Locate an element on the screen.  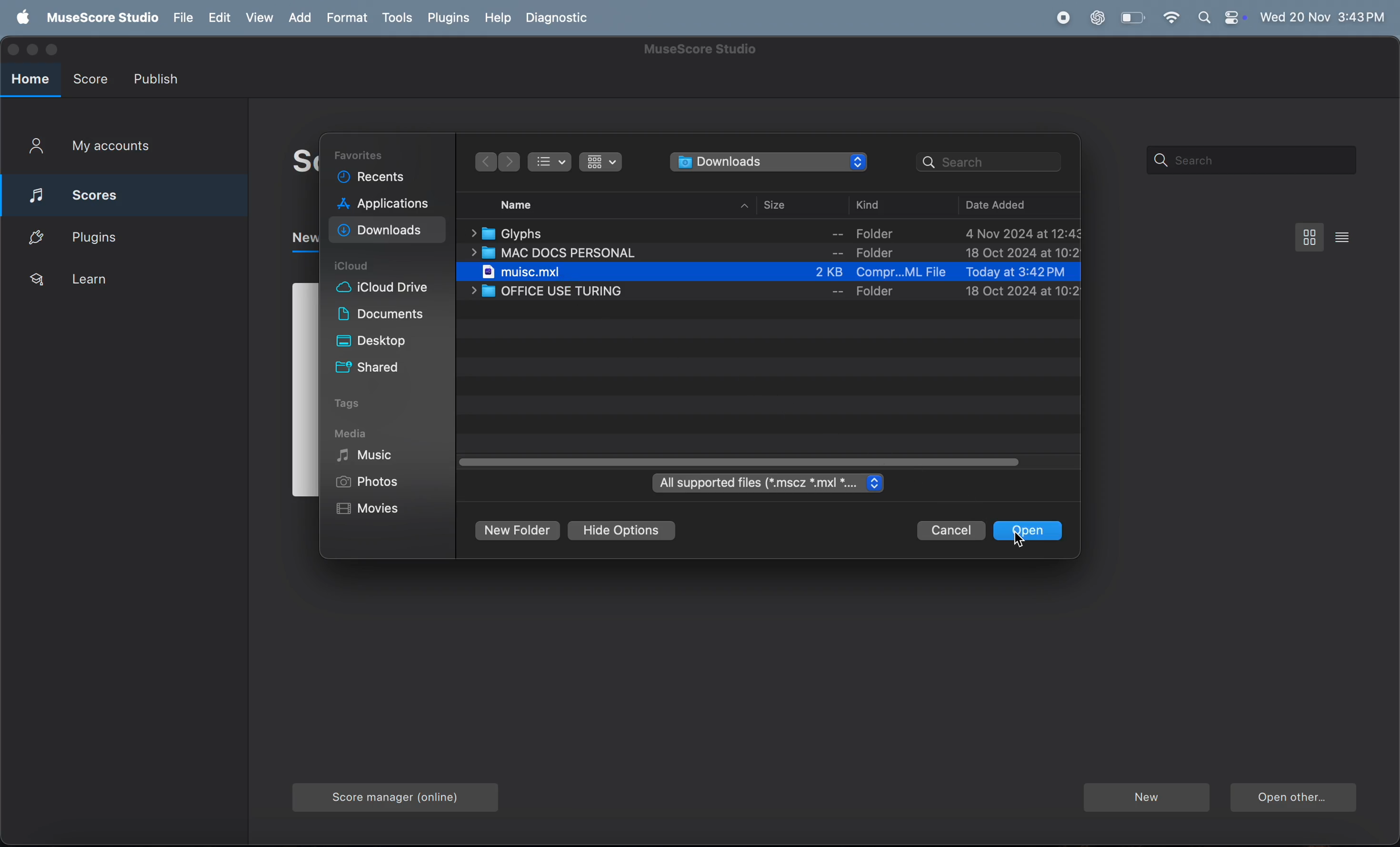
home is located at coordinates (28, 81).